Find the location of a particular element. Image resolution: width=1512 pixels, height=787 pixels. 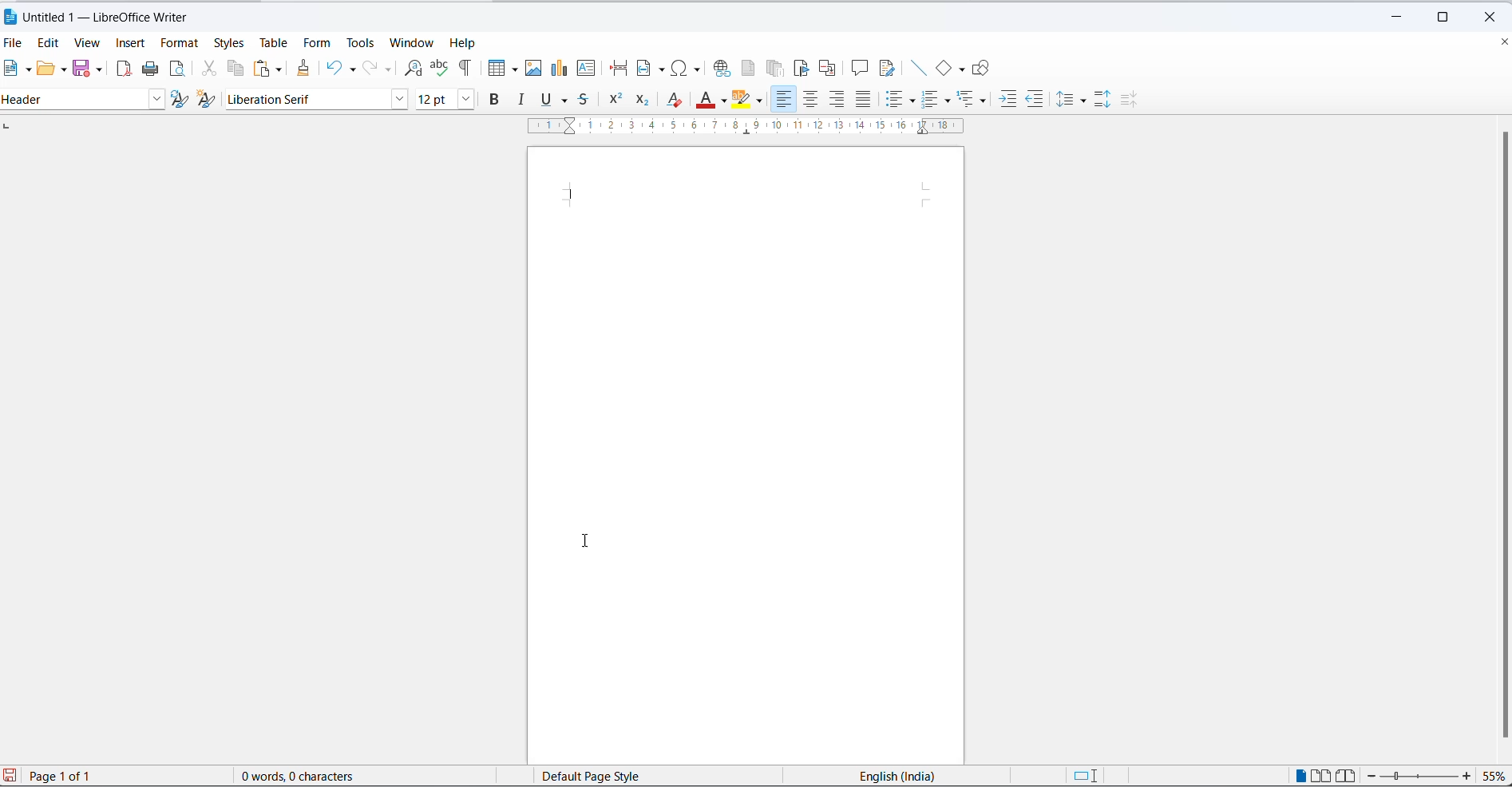

decrease zoom is located at coordinates (1375, 776).